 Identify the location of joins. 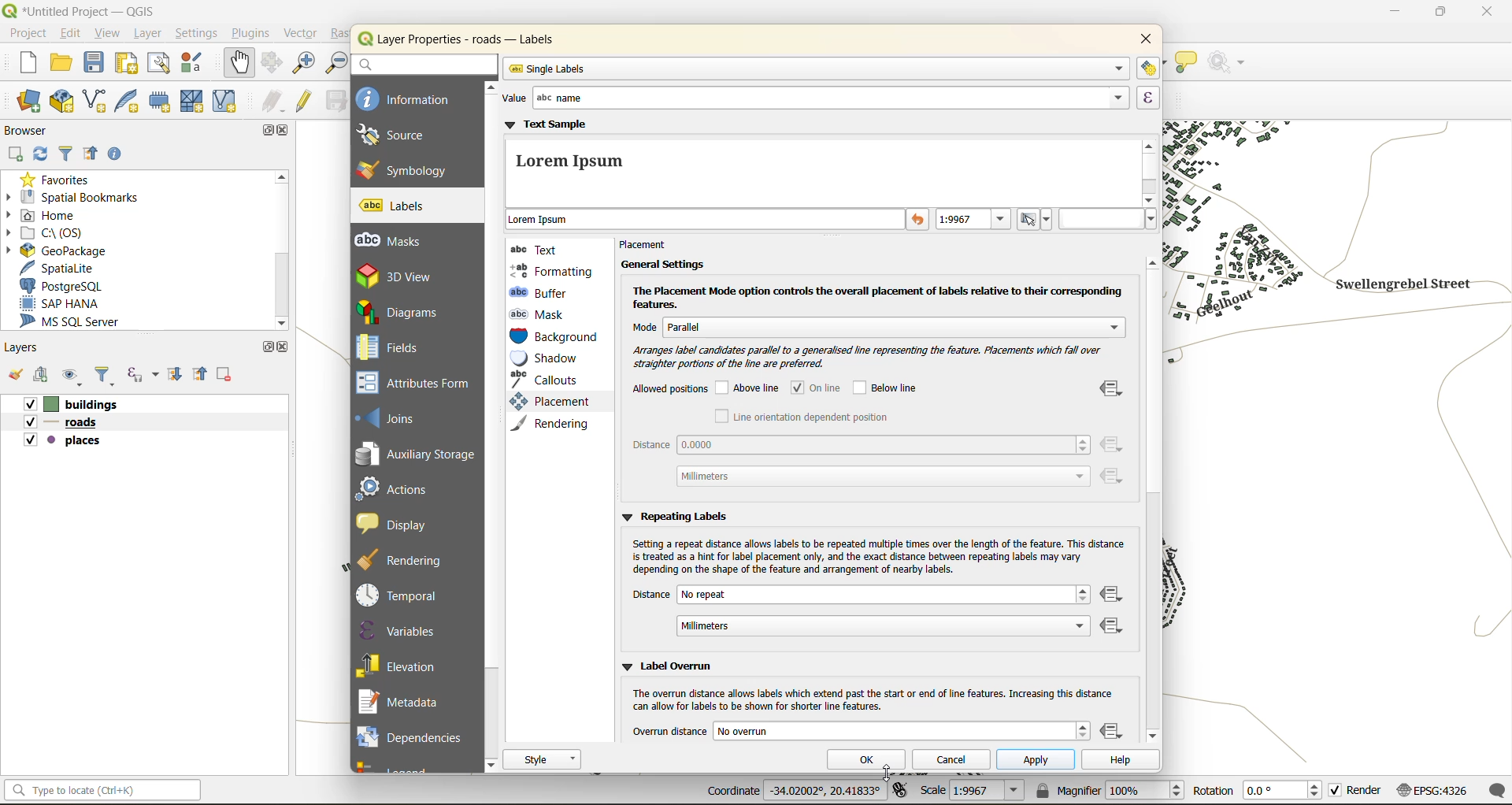
(395, 417).